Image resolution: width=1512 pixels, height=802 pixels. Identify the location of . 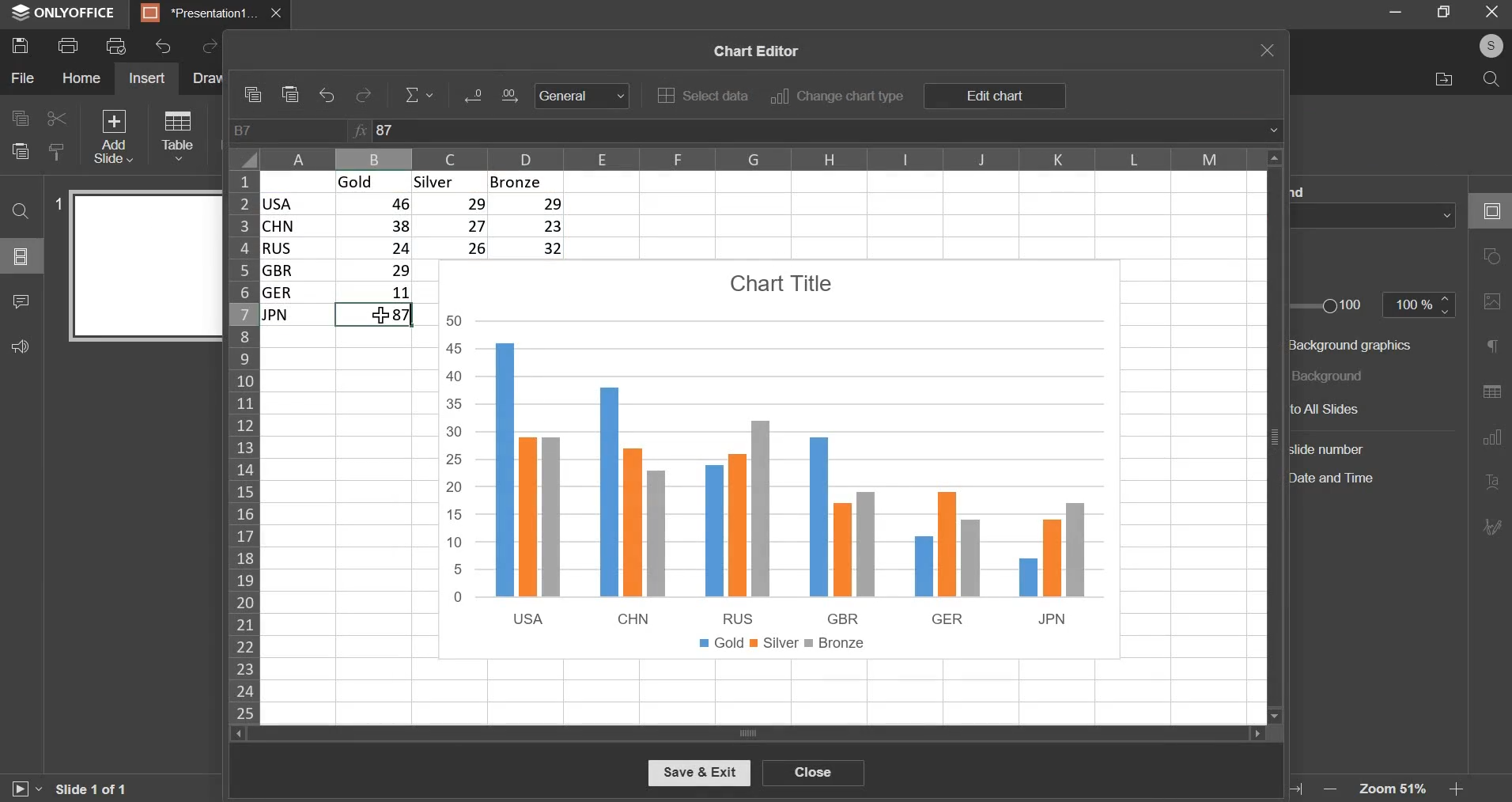
(516, 96).